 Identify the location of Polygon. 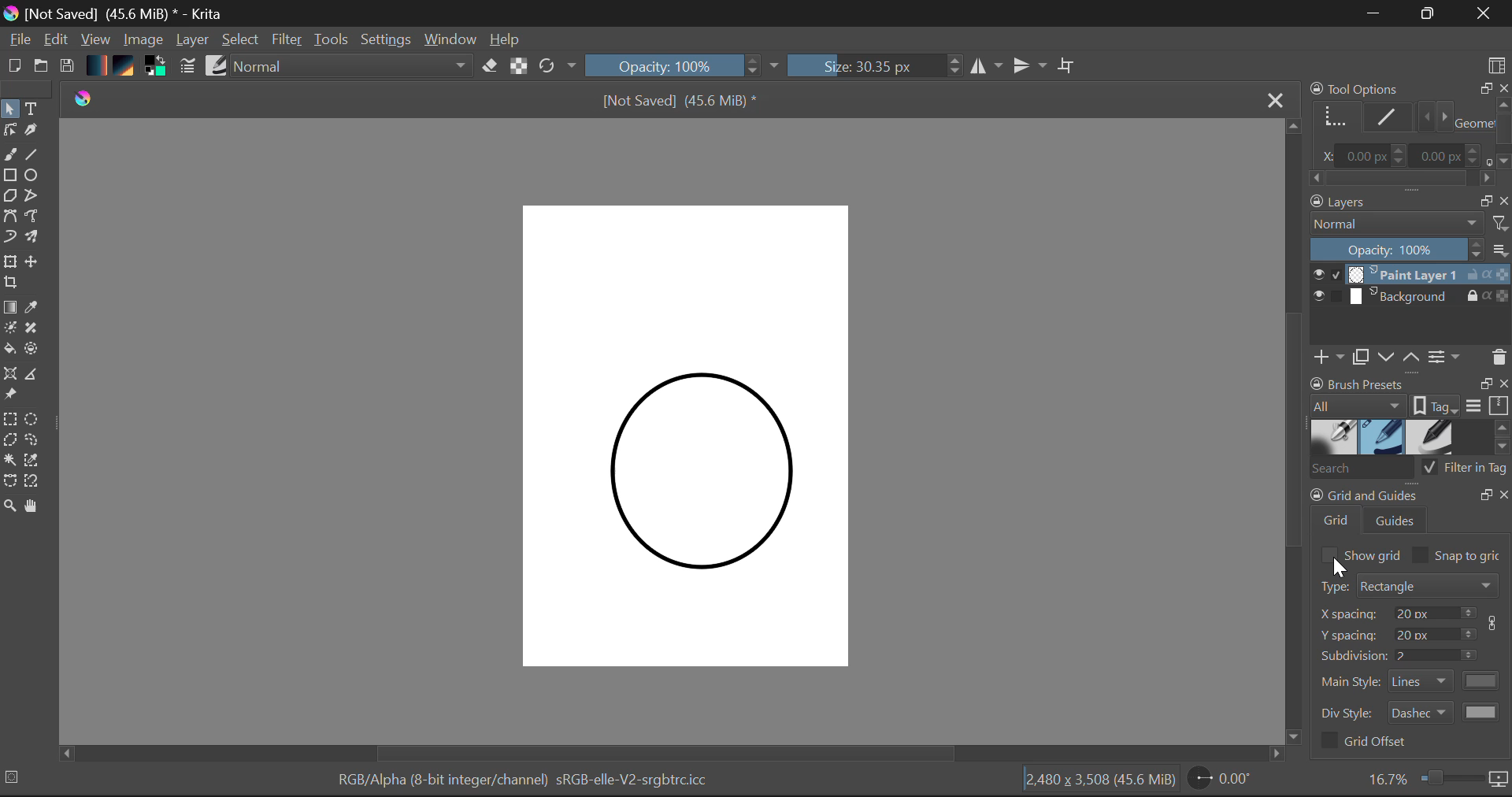
(9, 197).